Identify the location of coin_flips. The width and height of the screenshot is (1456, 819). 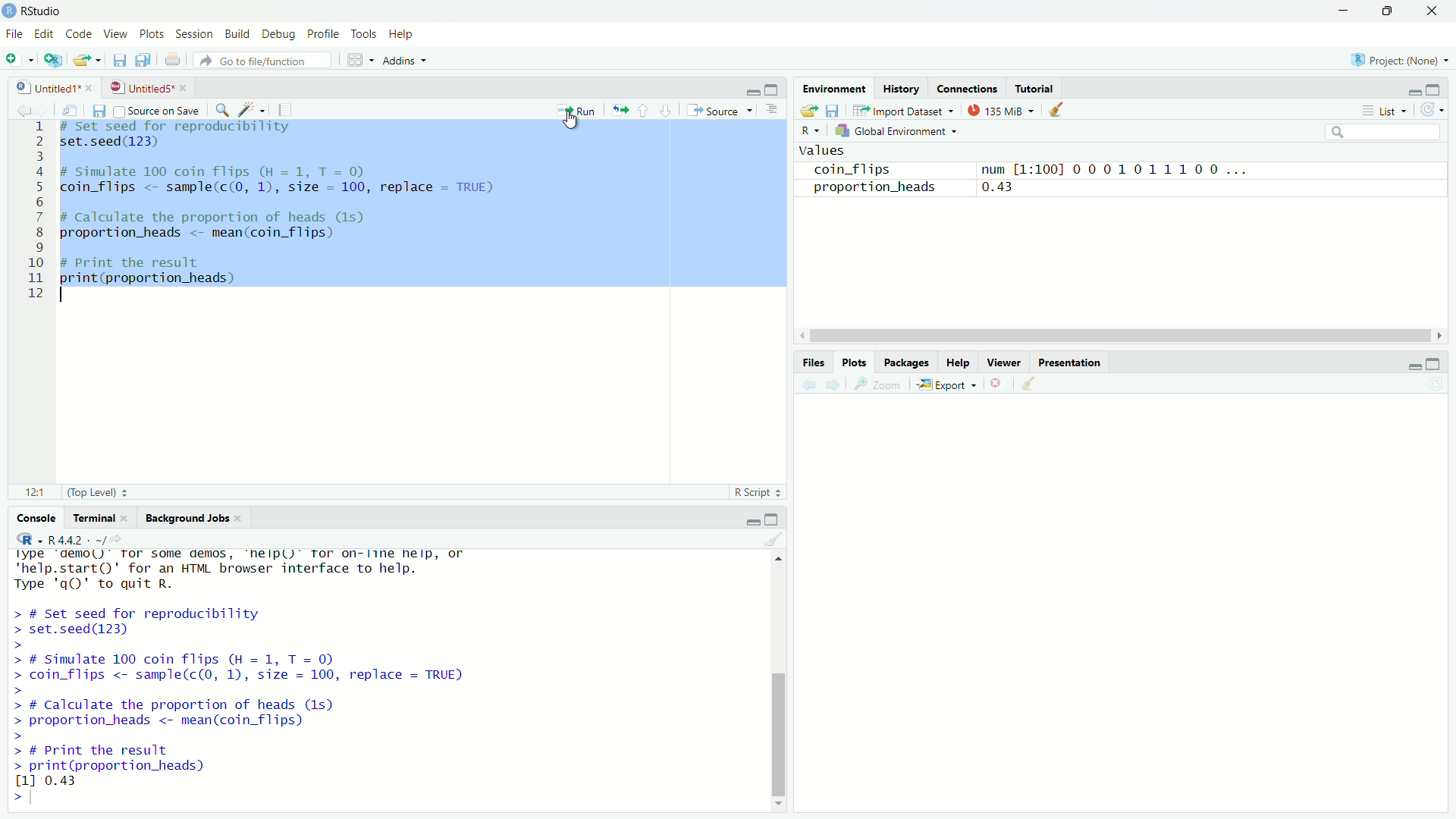
(850, 168).